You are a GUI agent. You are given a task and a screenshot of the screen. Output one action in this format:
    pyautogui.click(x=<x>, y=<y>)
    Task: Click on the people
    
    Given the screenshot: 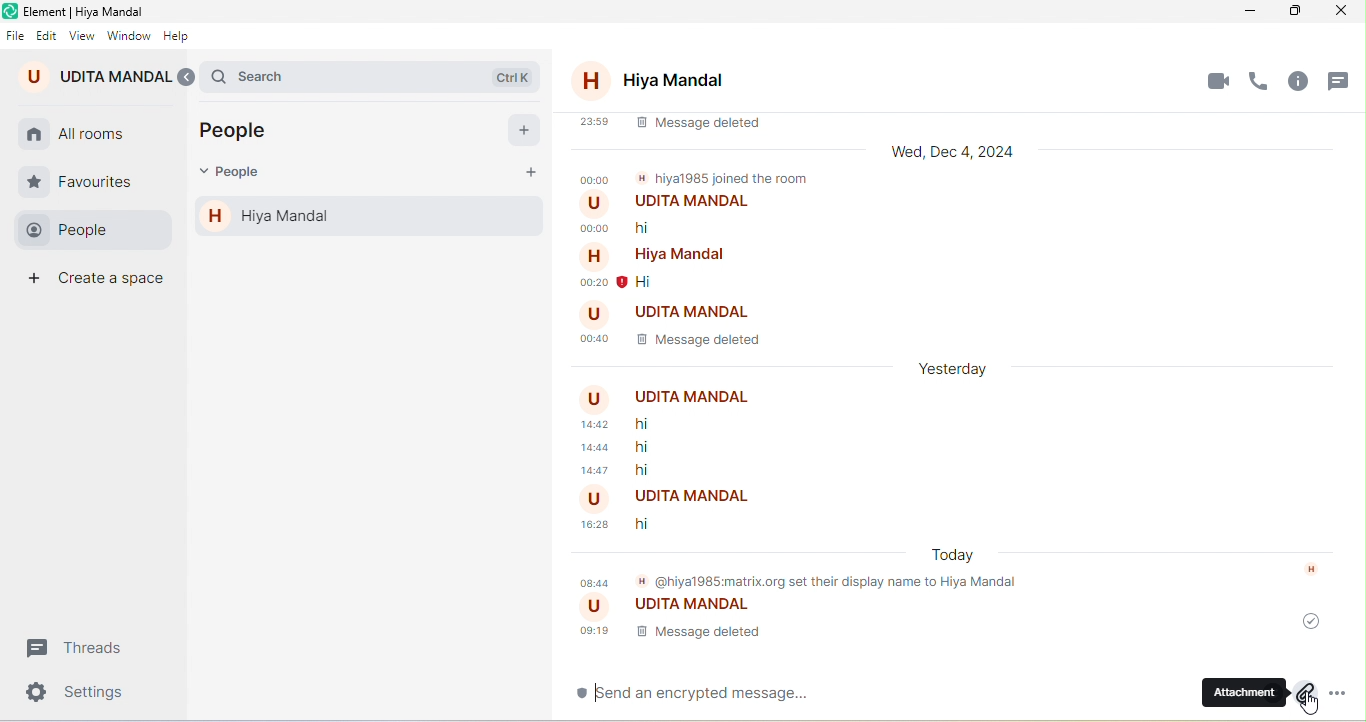 What is the action you would take?
    pyautogui.click(x=243, y=133)
    